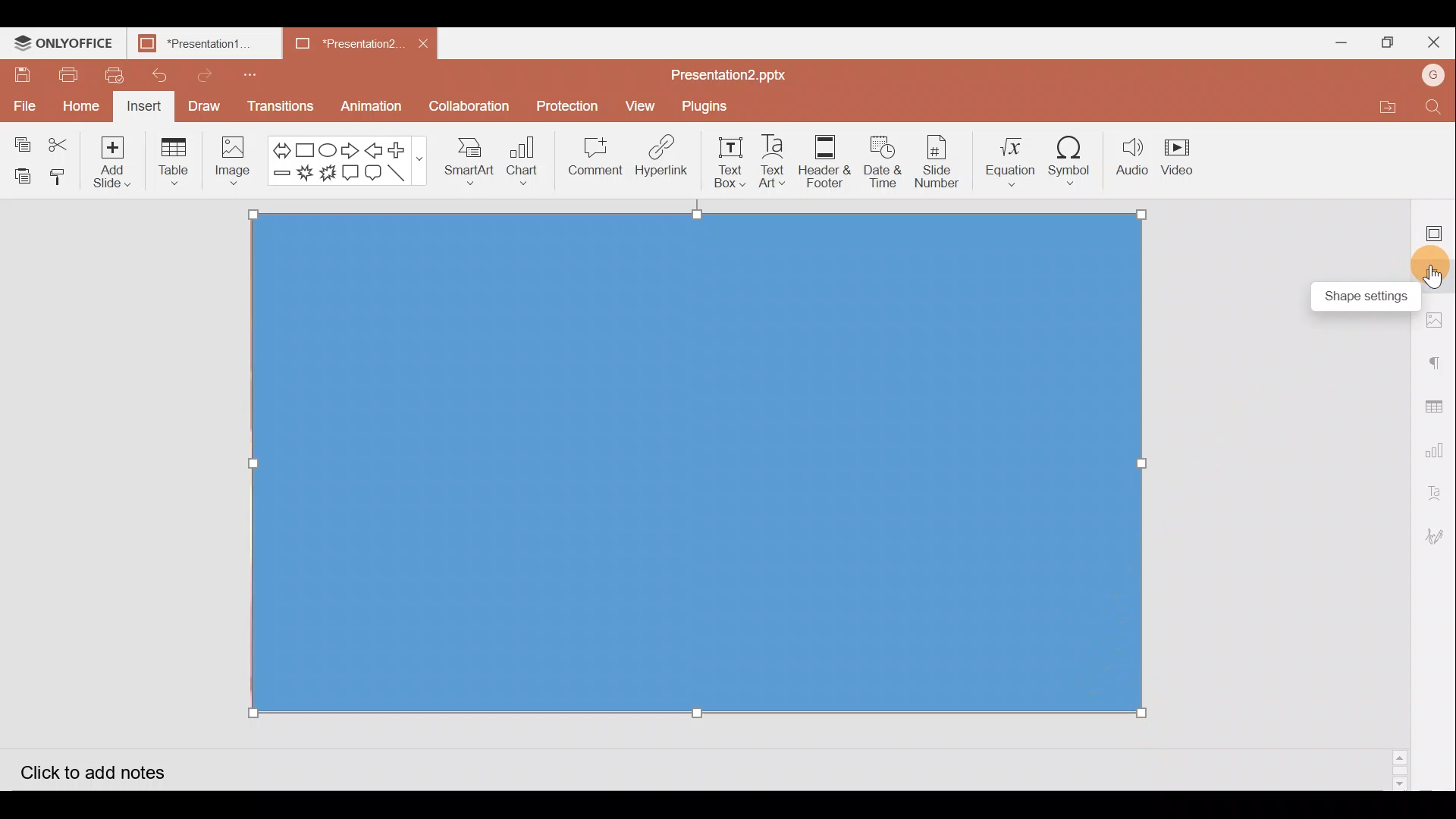 This screenshot has height=819, width=1456. I want to click on Hyperlink, so click(657, 158).